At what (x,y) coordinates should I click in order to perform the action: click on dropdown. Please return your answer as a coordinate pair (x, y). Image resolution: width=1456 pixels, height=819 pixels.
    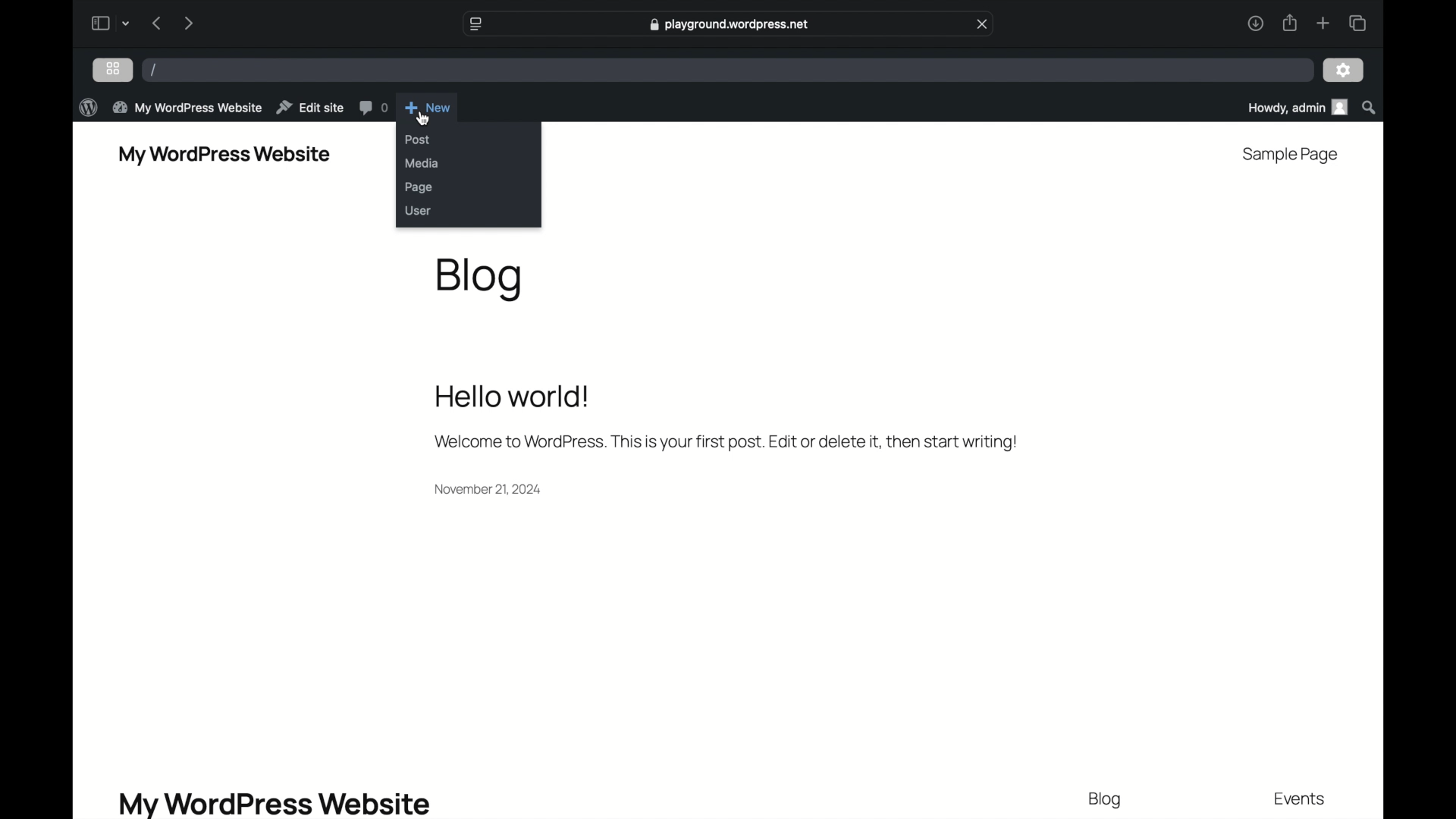
    Looking at the image, I should click on (126, 23).